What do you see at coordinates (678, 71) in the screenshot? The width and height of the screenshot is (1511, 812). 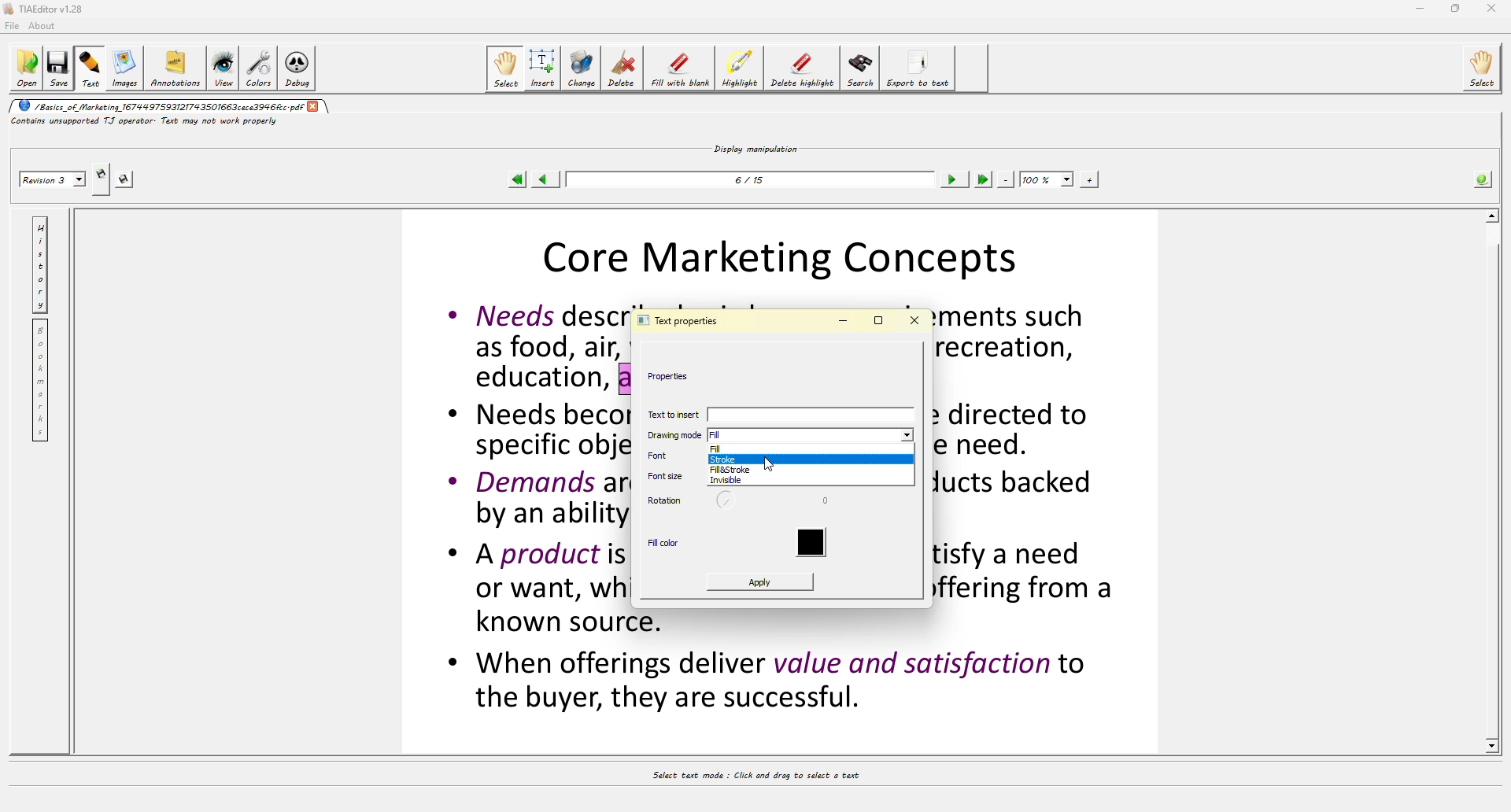 I see `fill with blank` at bounding box center [678, 71].